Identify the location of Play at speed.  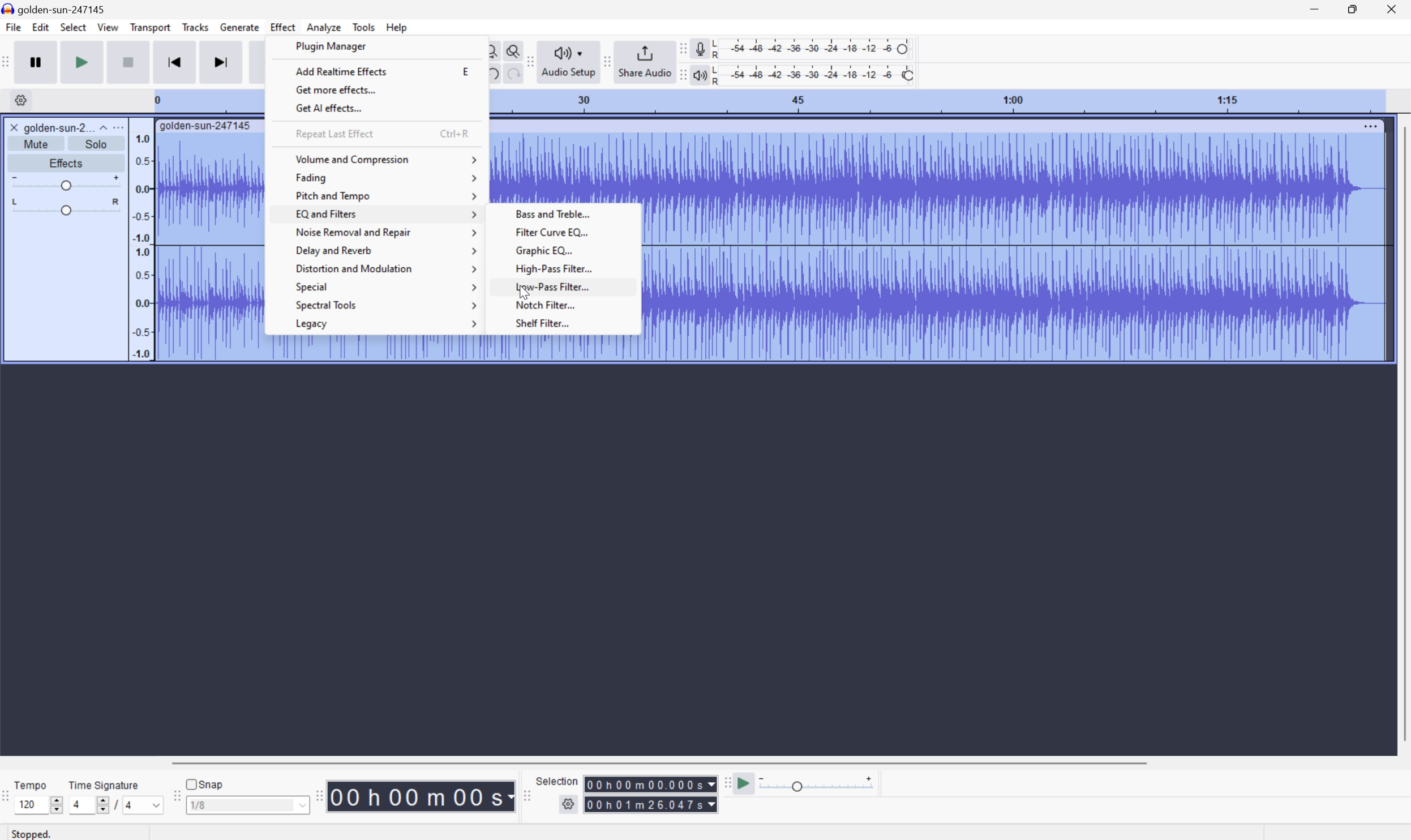
(745, 784).